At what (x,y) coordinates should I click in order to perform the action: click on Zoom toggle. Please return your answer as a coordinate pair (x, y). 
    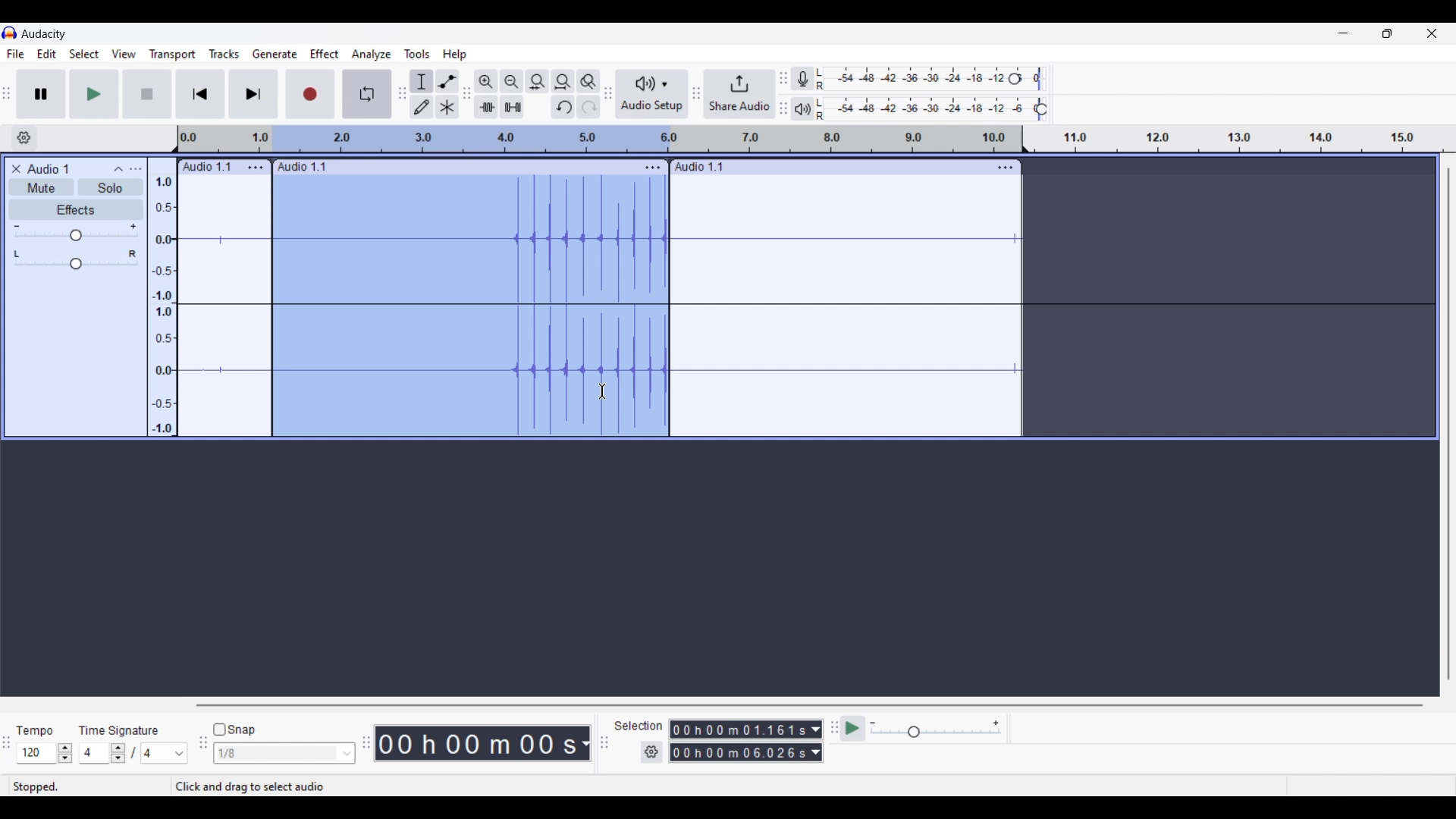
    Looking at the image, I should click on (588, 81).